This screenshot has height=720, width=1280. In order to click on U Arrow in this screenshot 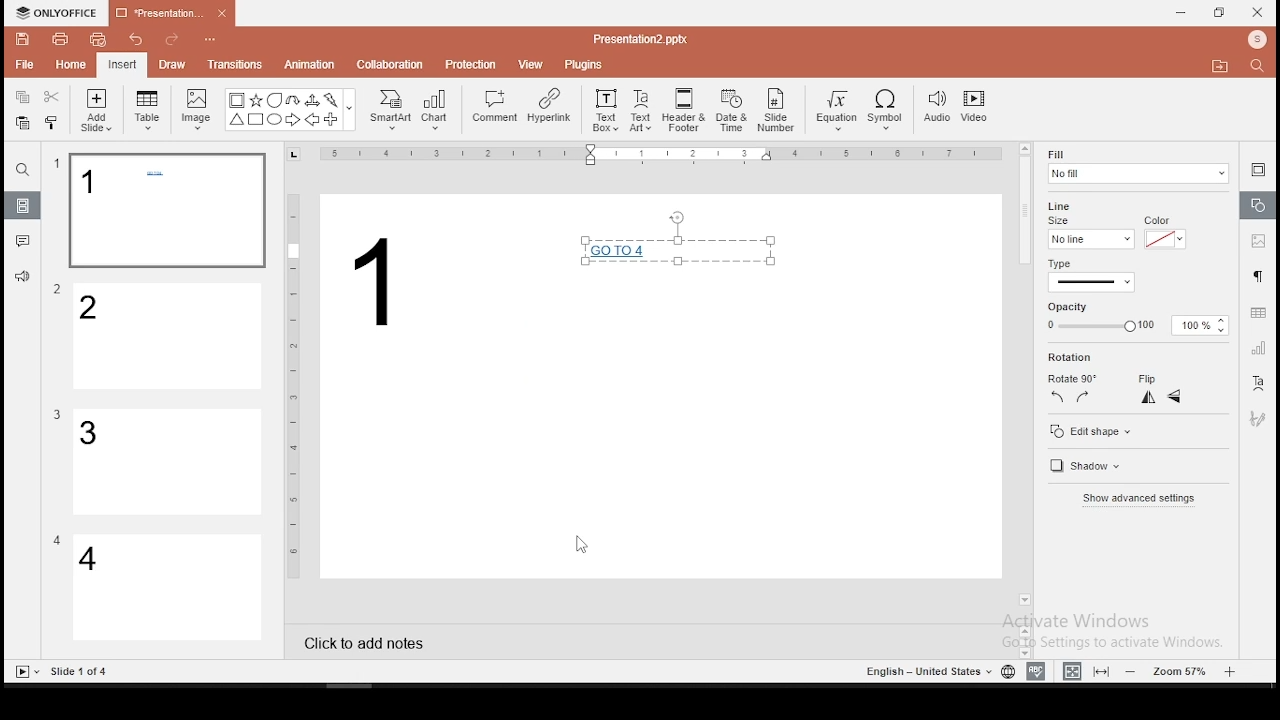, I will do `click(294, 100)`.